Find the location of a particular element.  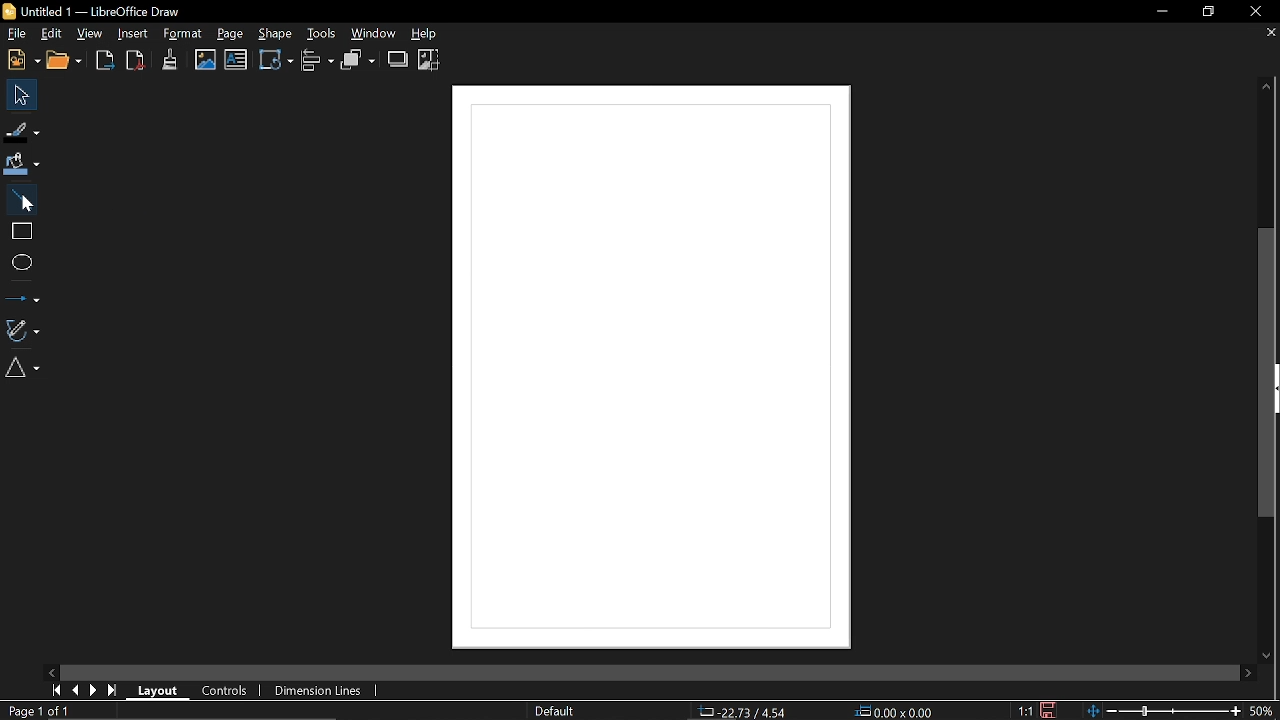

Edit is located at coordinates (52, 32).